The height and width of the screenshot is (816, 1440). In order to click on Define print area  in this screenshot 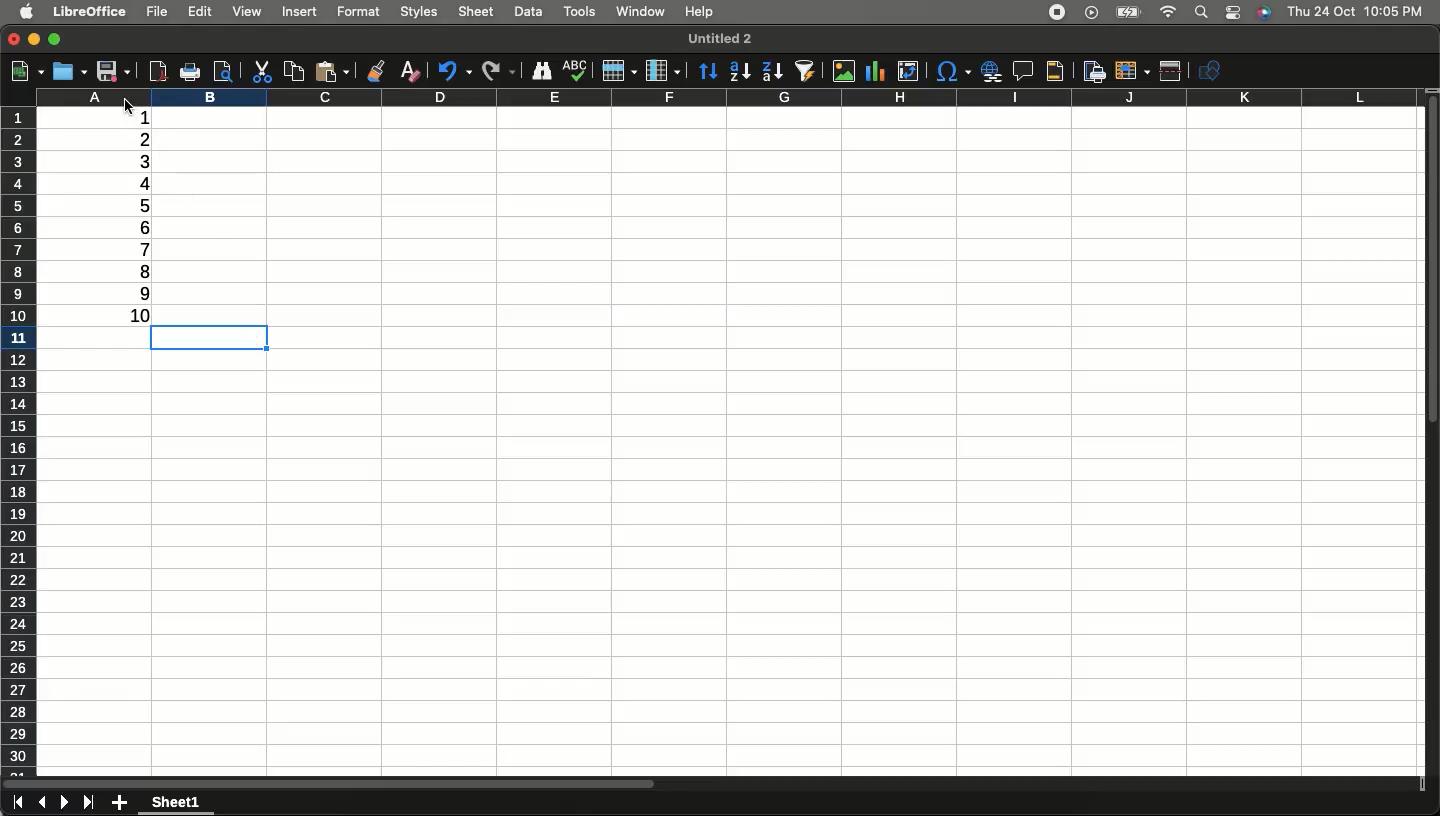, I will do `click(1092, 70)`.